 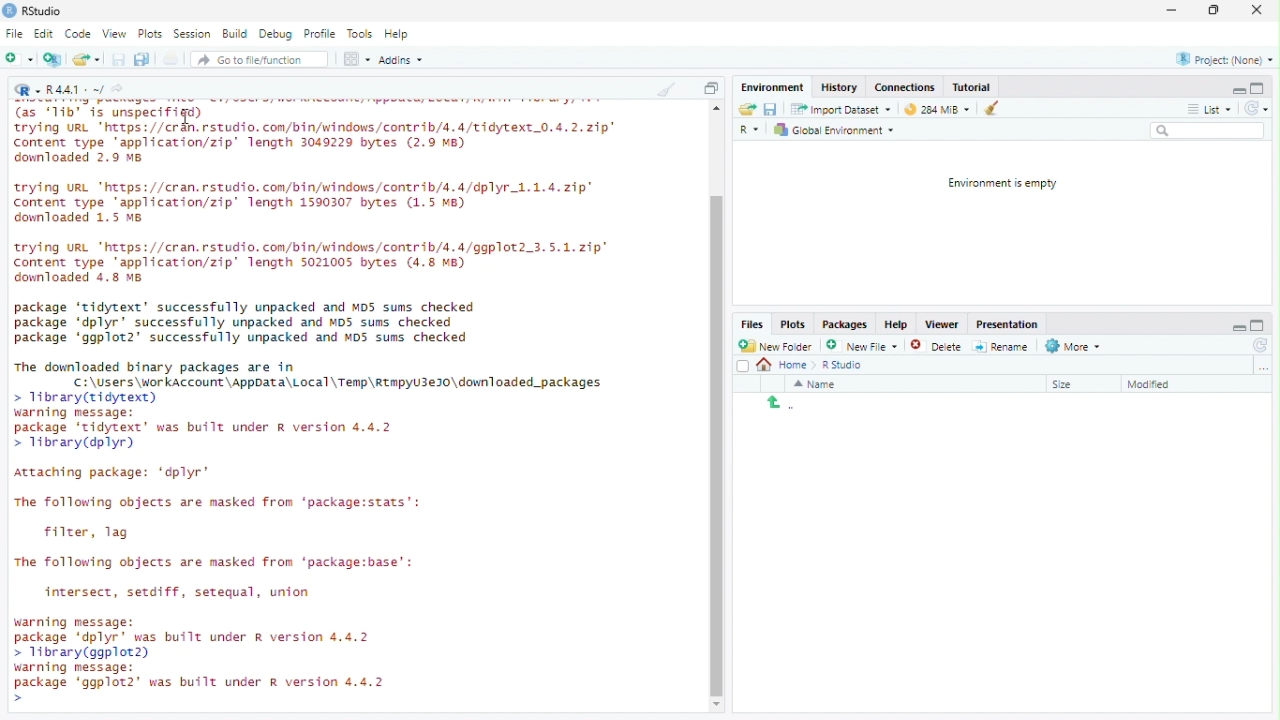 What do you see at coordinates (748, 109) in the screenshot?
I see `Open` at bounding box center [748, 109].